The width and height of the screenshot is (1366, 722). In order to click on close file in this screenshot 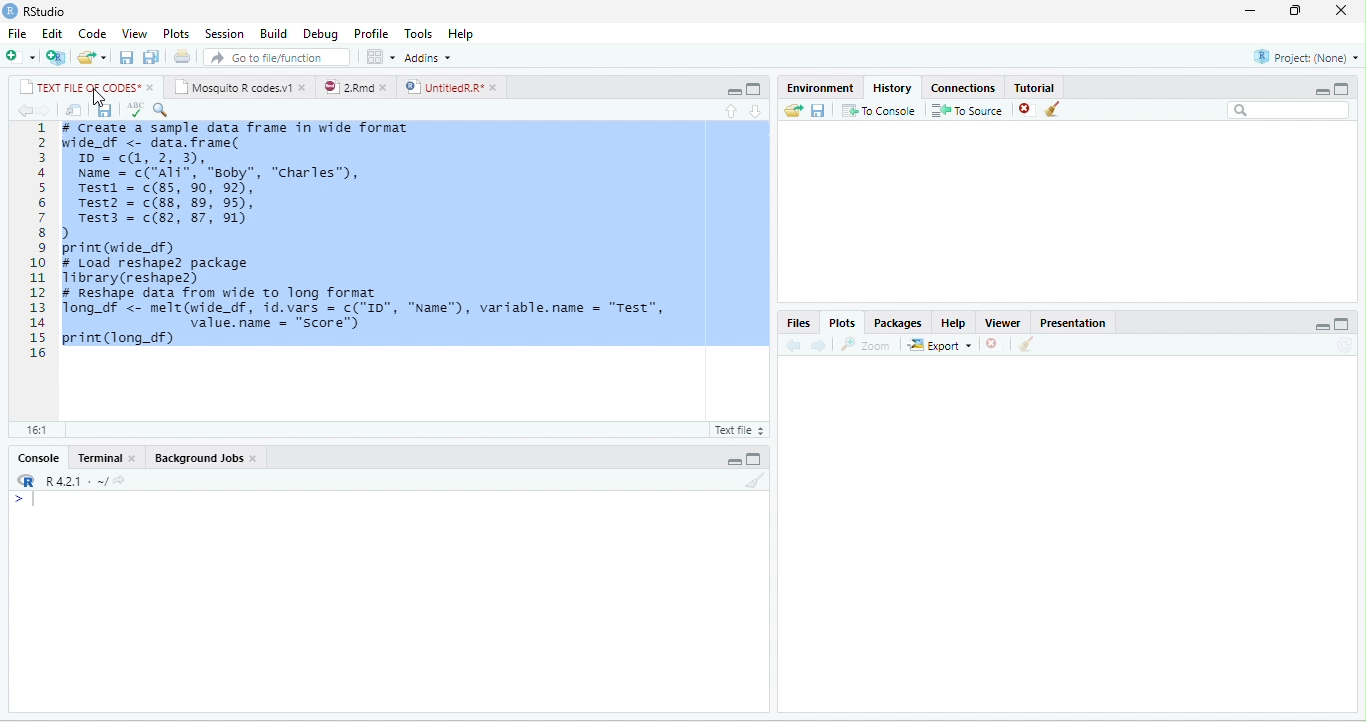, I will do `click(994, 344)`.